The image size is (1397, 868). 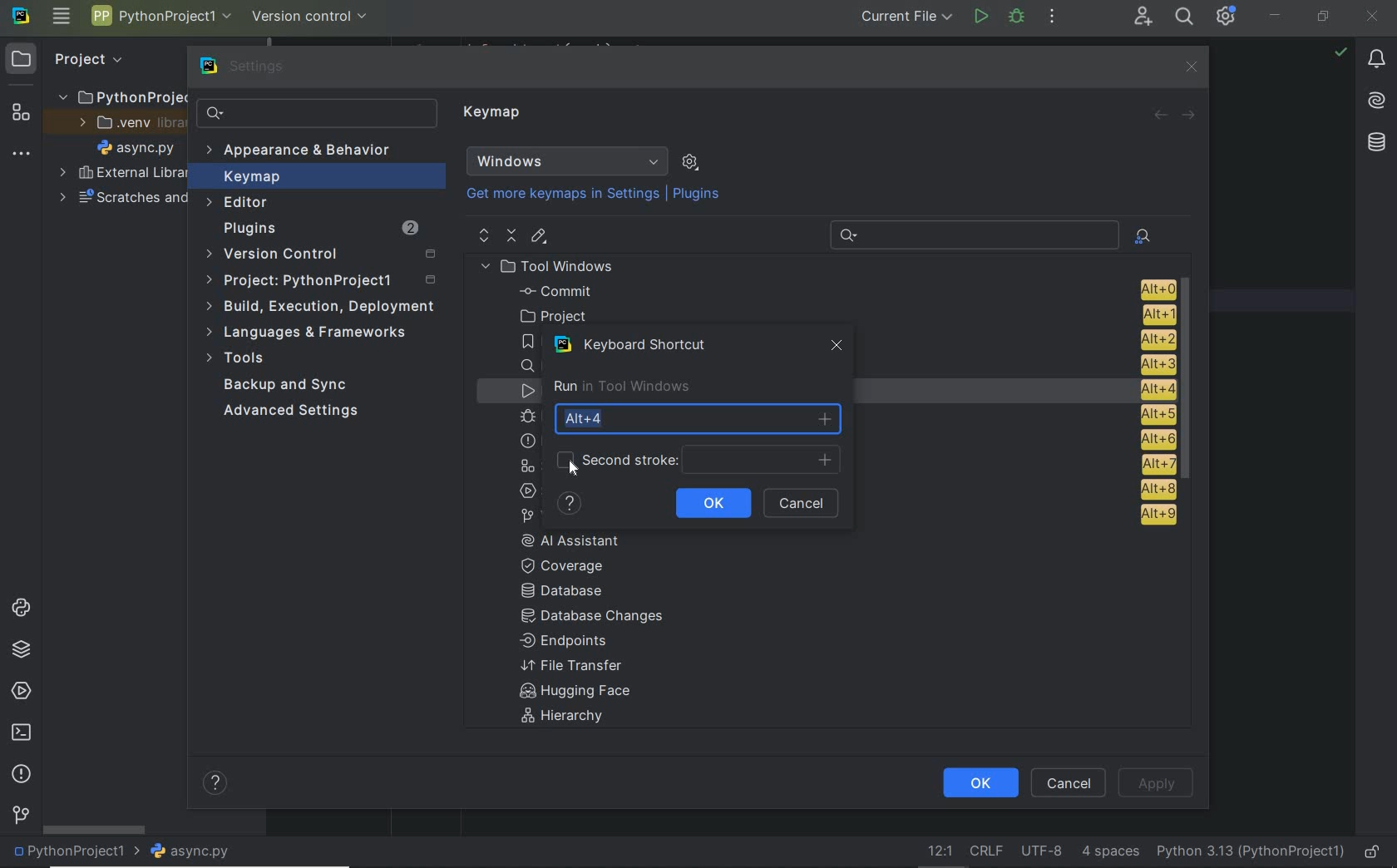 I want to click on Code With Me, so click(x=1143, y=17).